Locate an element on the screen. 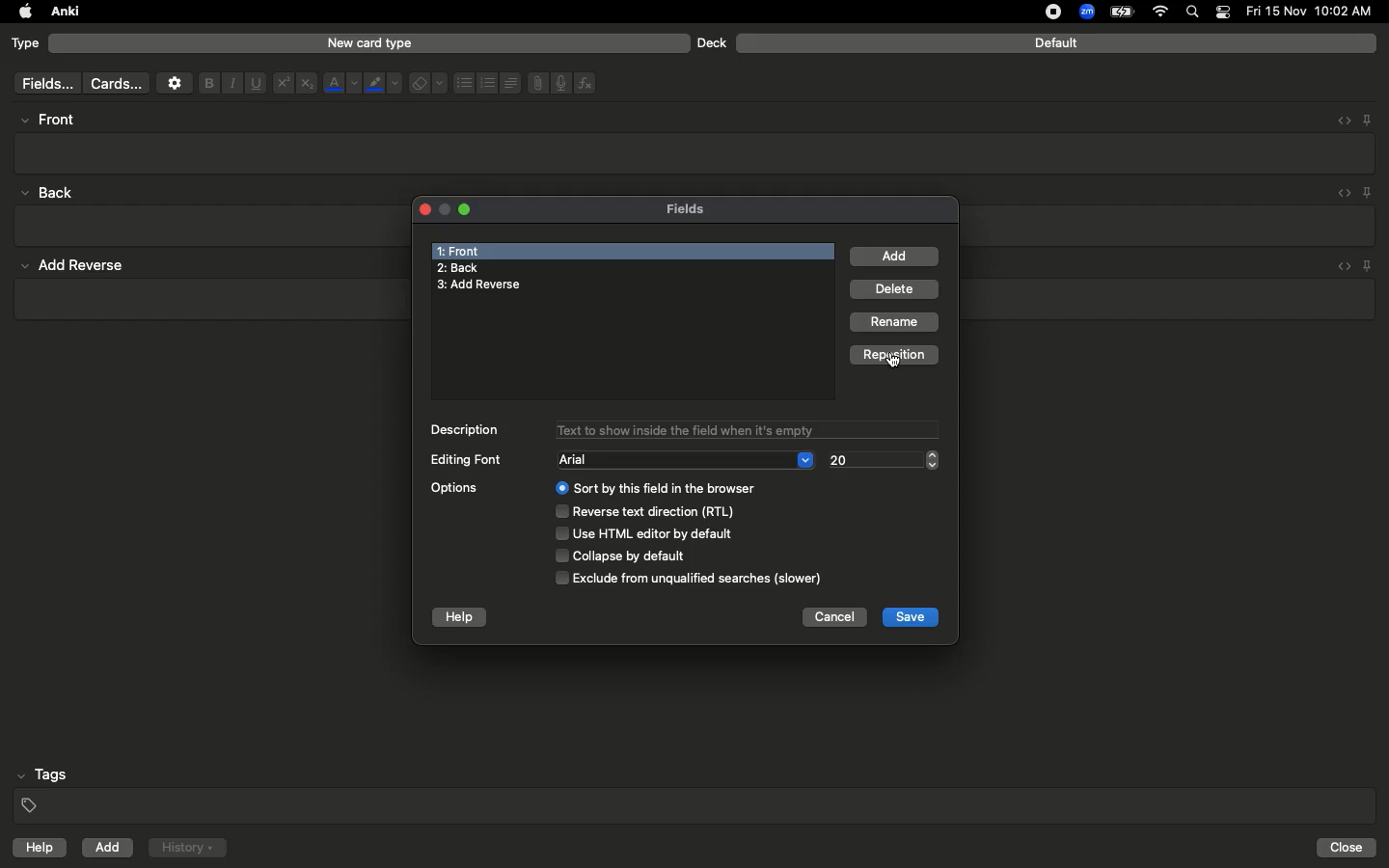 This screenshot has height=868, width=1389. help is located at coordinates (36, 850).